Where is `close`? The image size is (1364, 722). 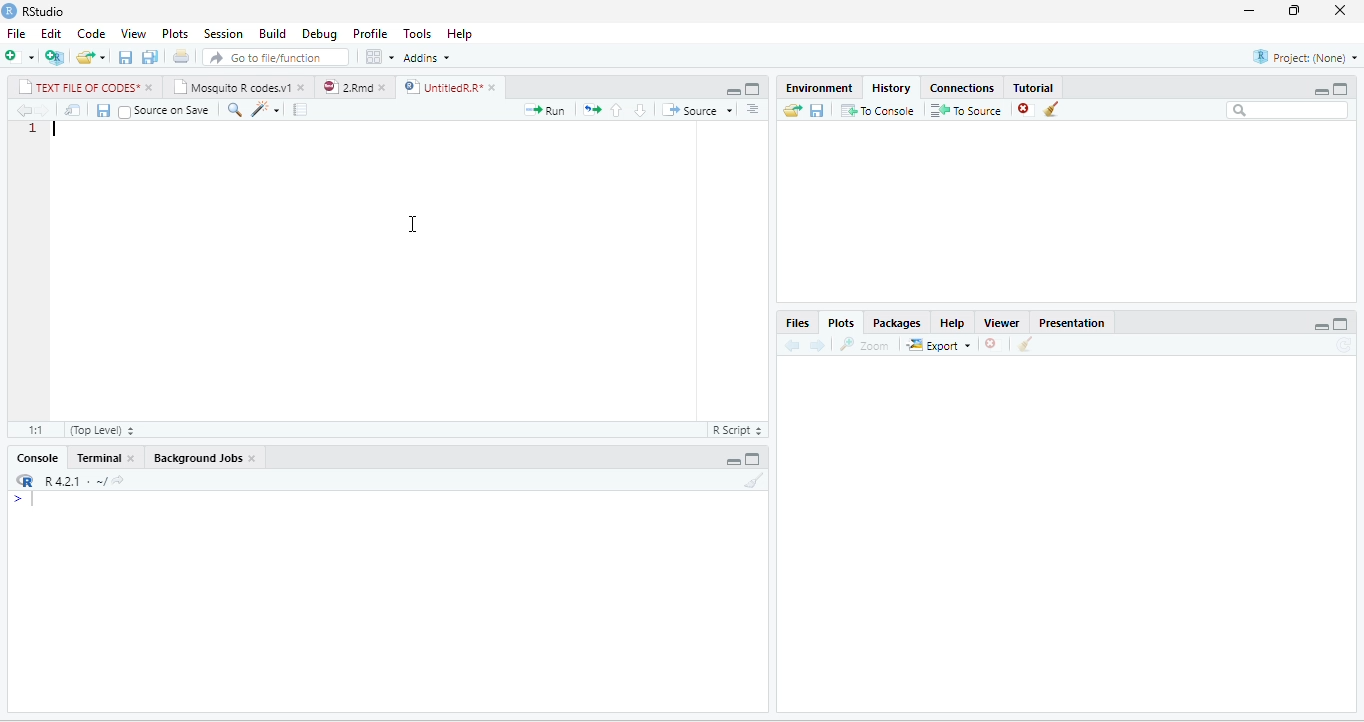
close is located at coordinates (132, 457).